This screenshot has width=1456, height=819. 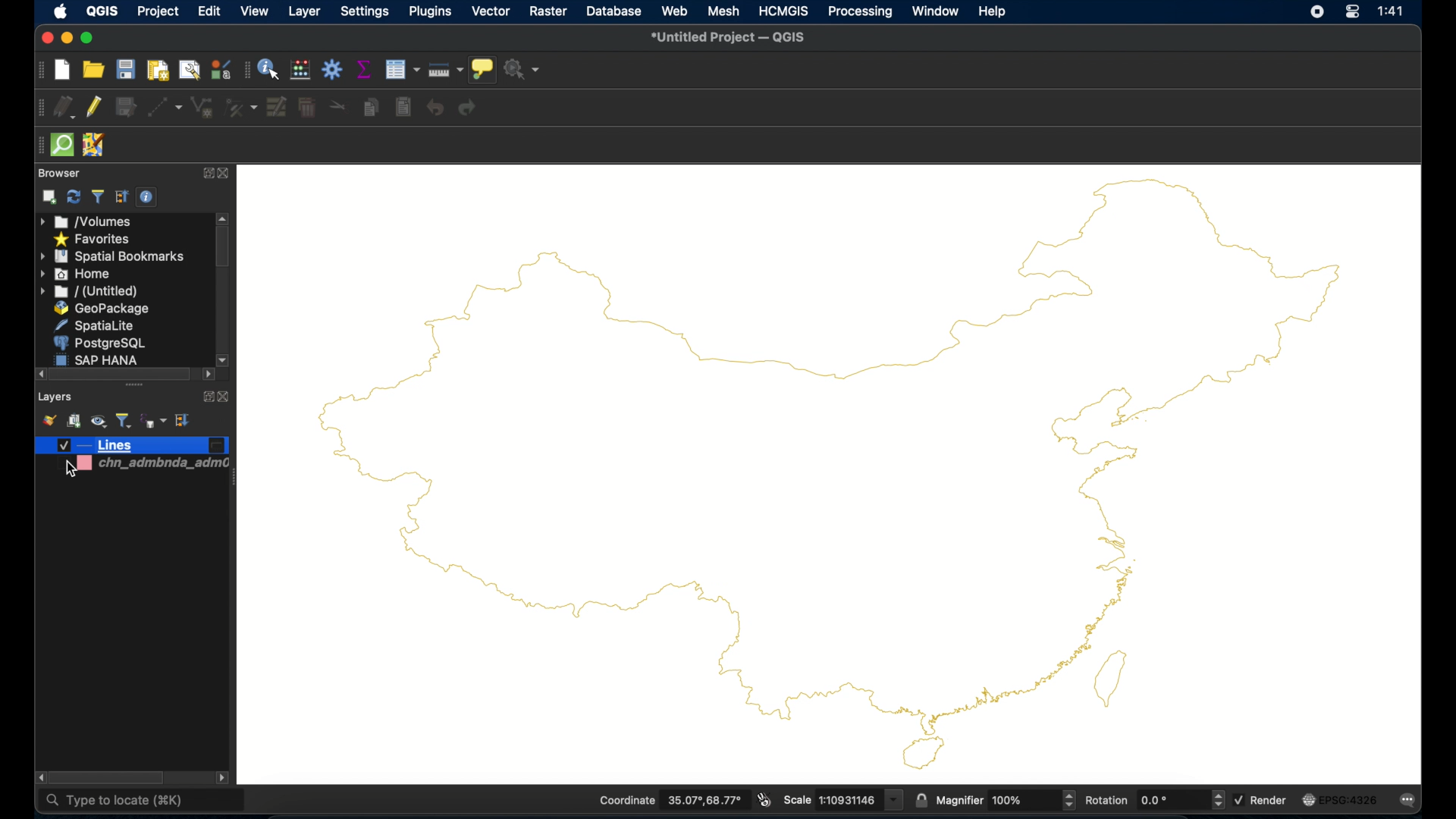 I want to click on screen recorder, so click(x=1316, y=13).